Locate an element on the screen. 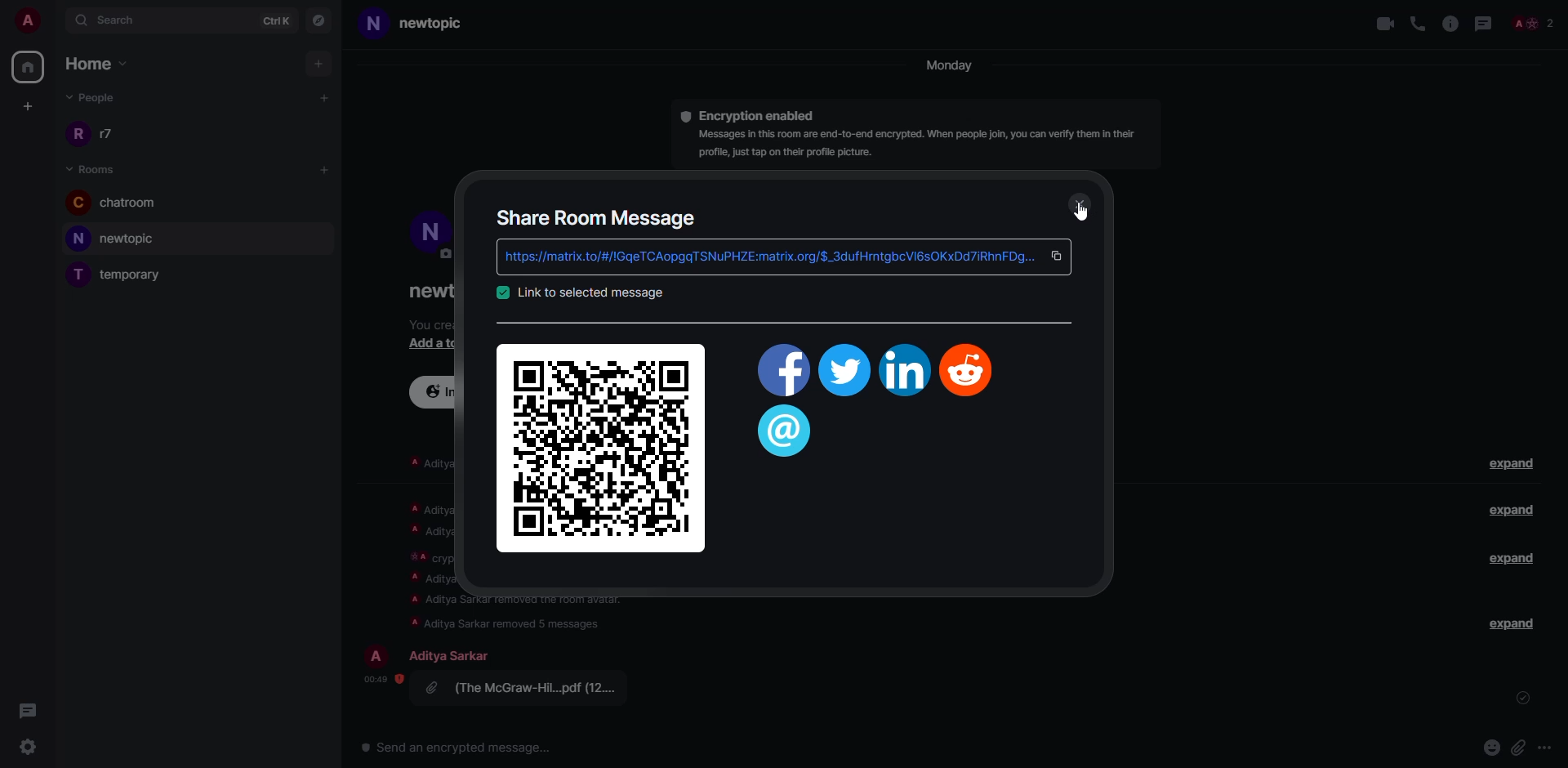  ctrlK is located at coordinates (278, 19).